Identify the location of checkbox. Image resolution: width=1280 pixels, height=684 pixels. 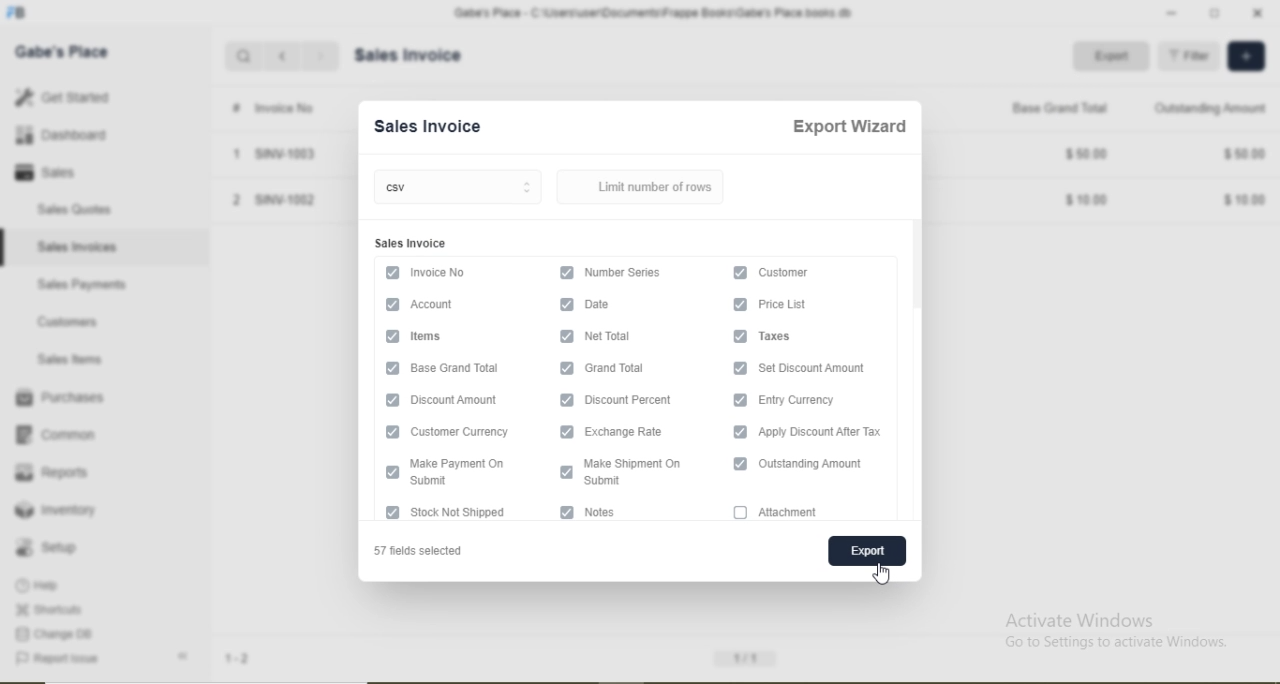
(567, 307).